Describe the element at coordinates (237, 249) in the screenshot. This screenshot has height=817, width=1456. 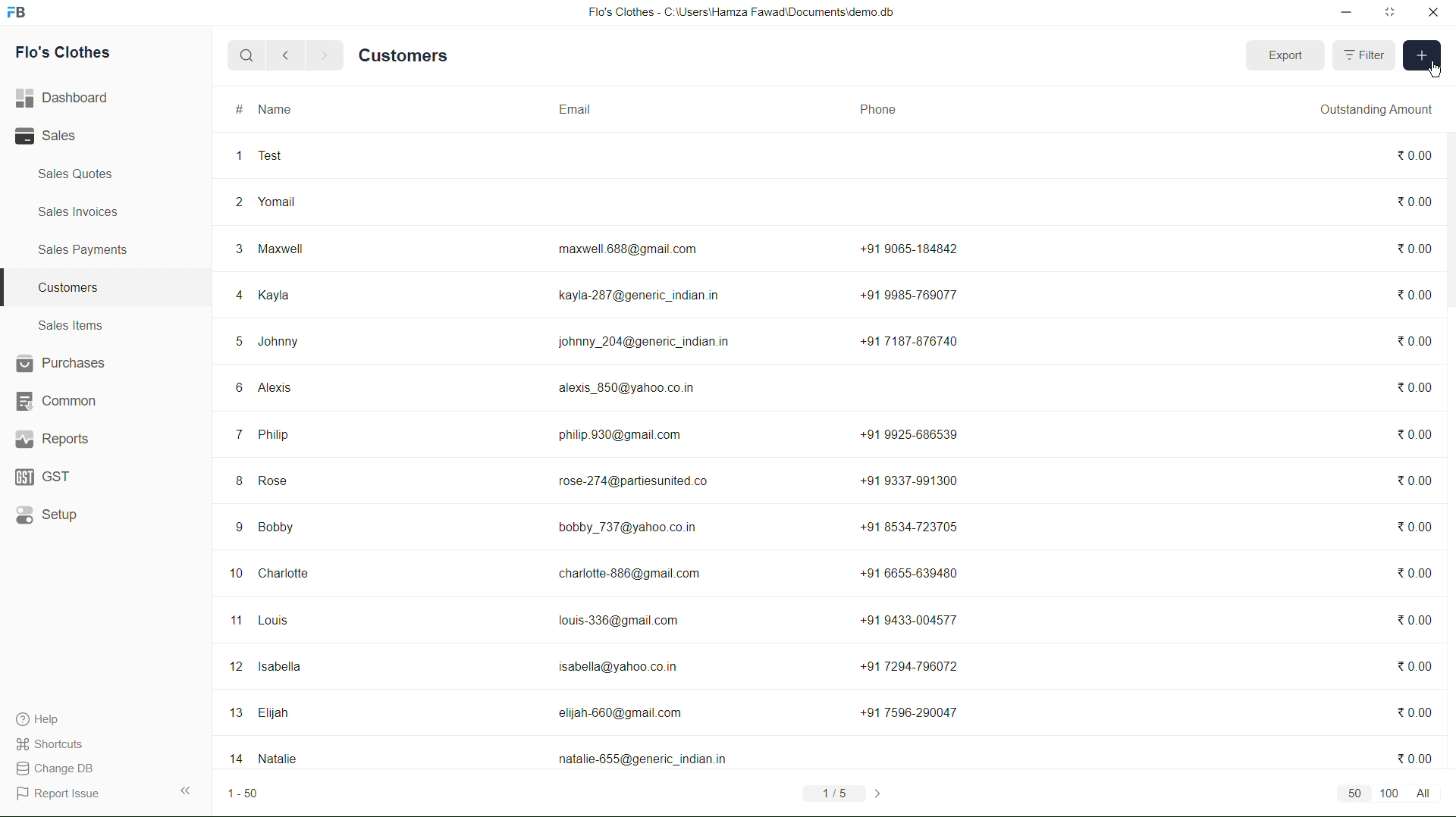
I see `3` at that location.